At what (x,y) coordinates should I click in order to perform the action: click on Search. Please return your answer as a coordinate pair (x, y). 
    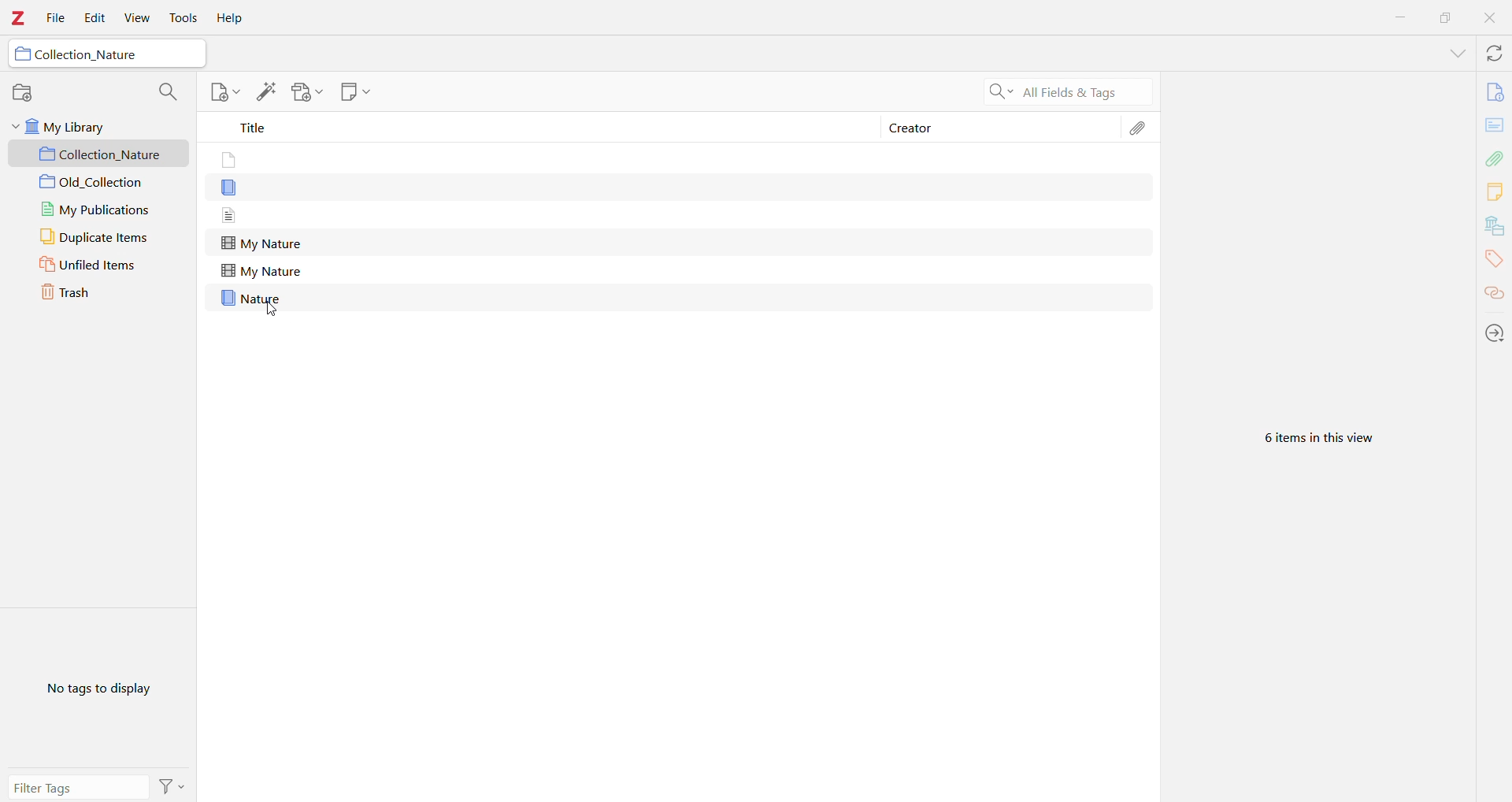
    Looking at the image, I should click on (165, 92).